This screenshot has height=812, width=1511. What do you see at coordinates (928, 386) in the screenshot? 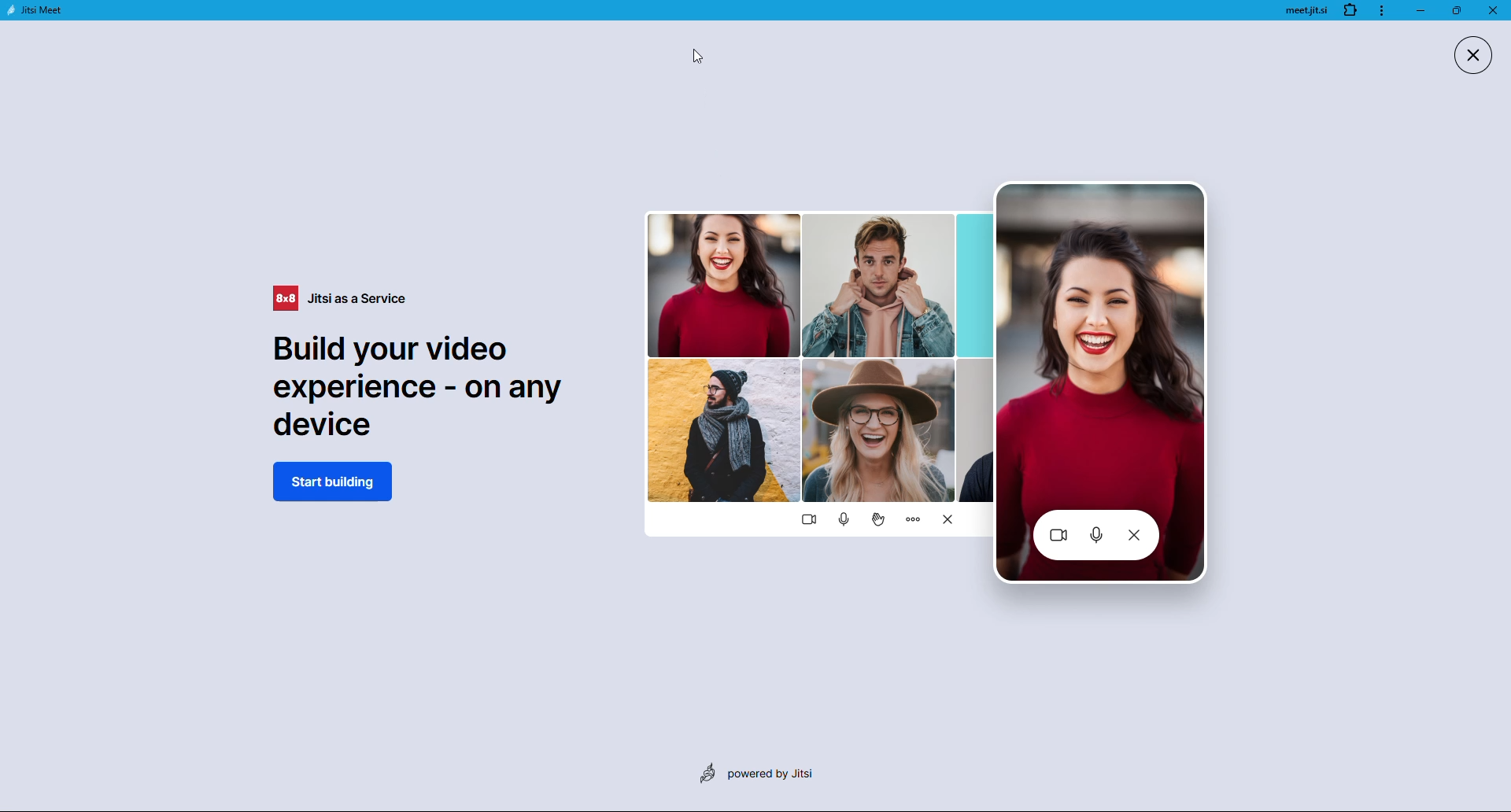
I see `Graphics ` at bounding box center [928, 386].